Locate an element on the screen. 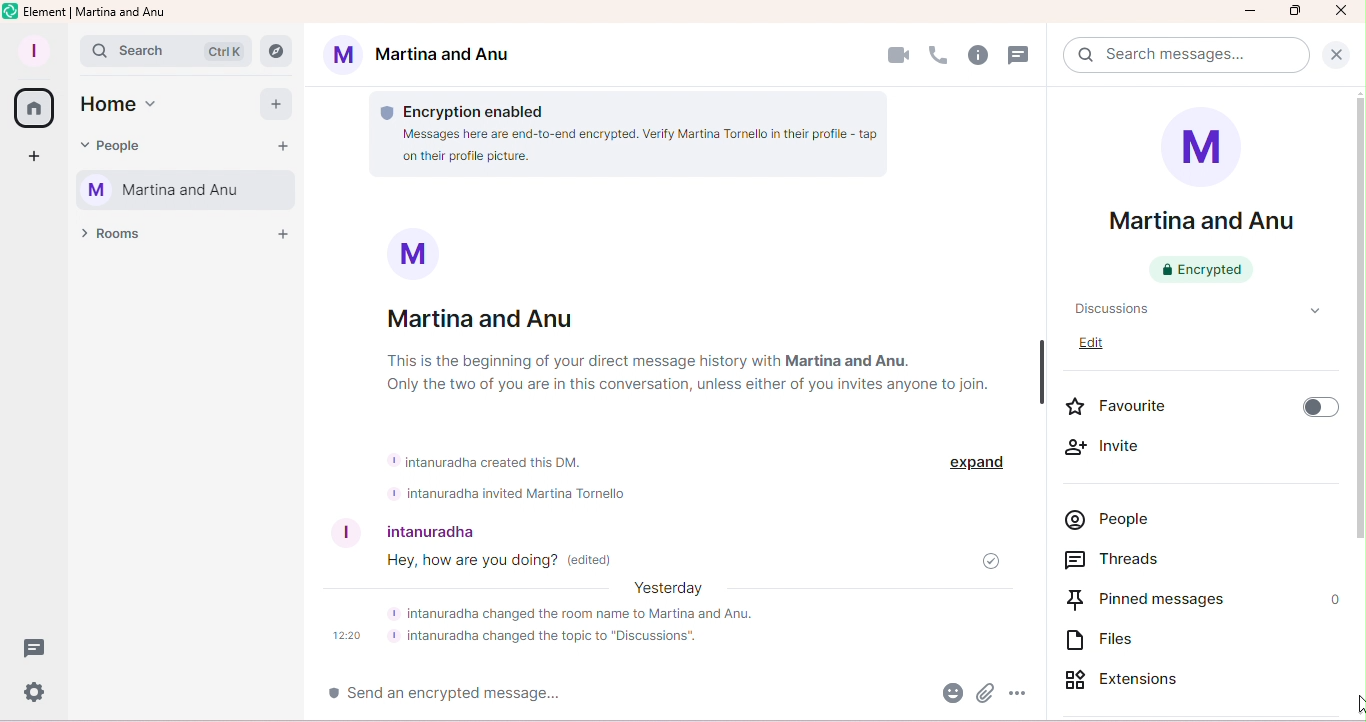 The width and height of the screenshot is (1366, 722). intanuradha changed the topic to "Discussions" is located at coordinates (549, 638).